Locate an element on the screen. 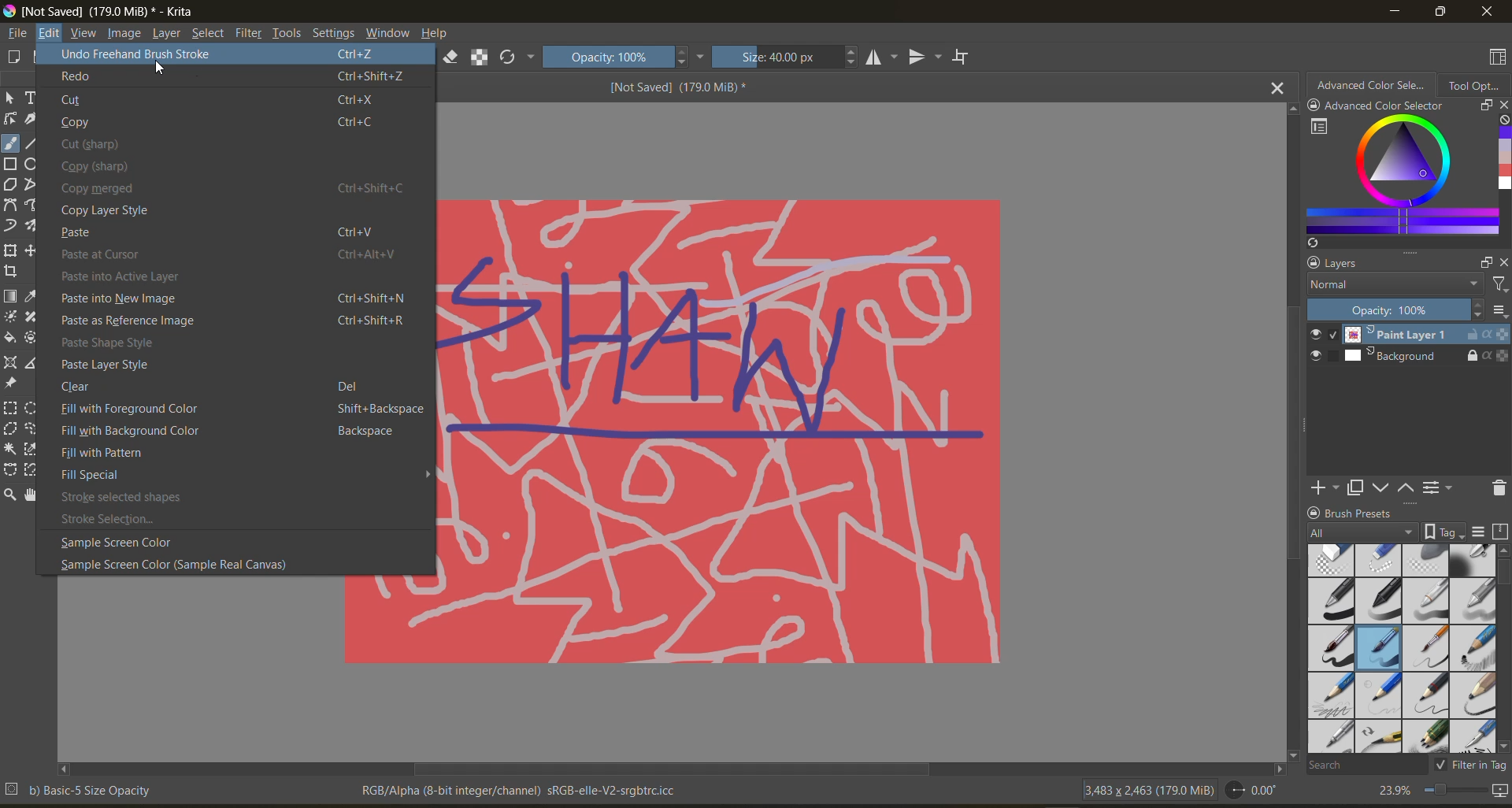  free hand path tool is located at coordinates (35, 205).